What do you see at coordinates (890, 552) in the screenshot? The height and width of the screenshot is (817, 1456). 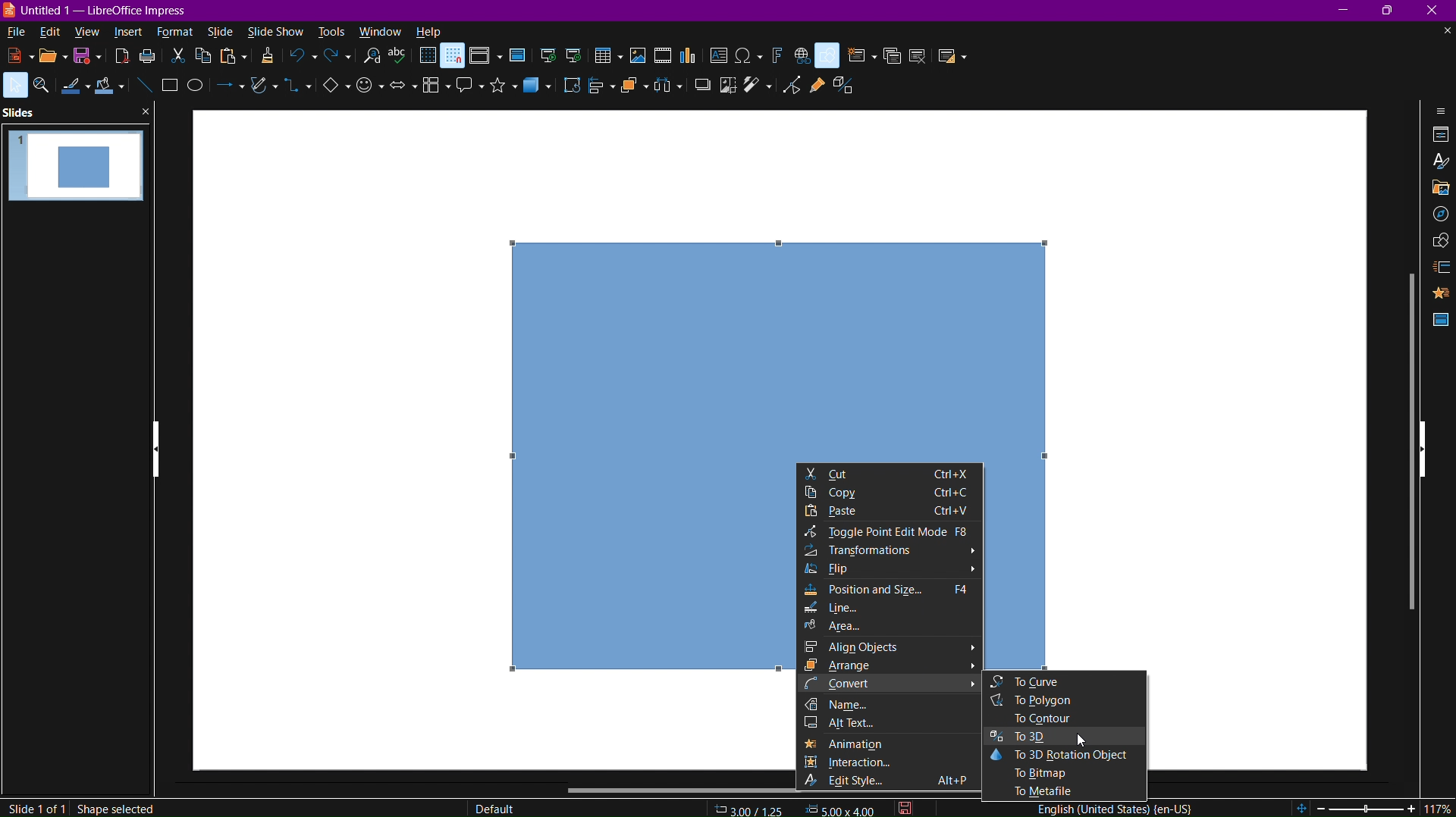 I see `Transformations` at bounding box center [890, 552].